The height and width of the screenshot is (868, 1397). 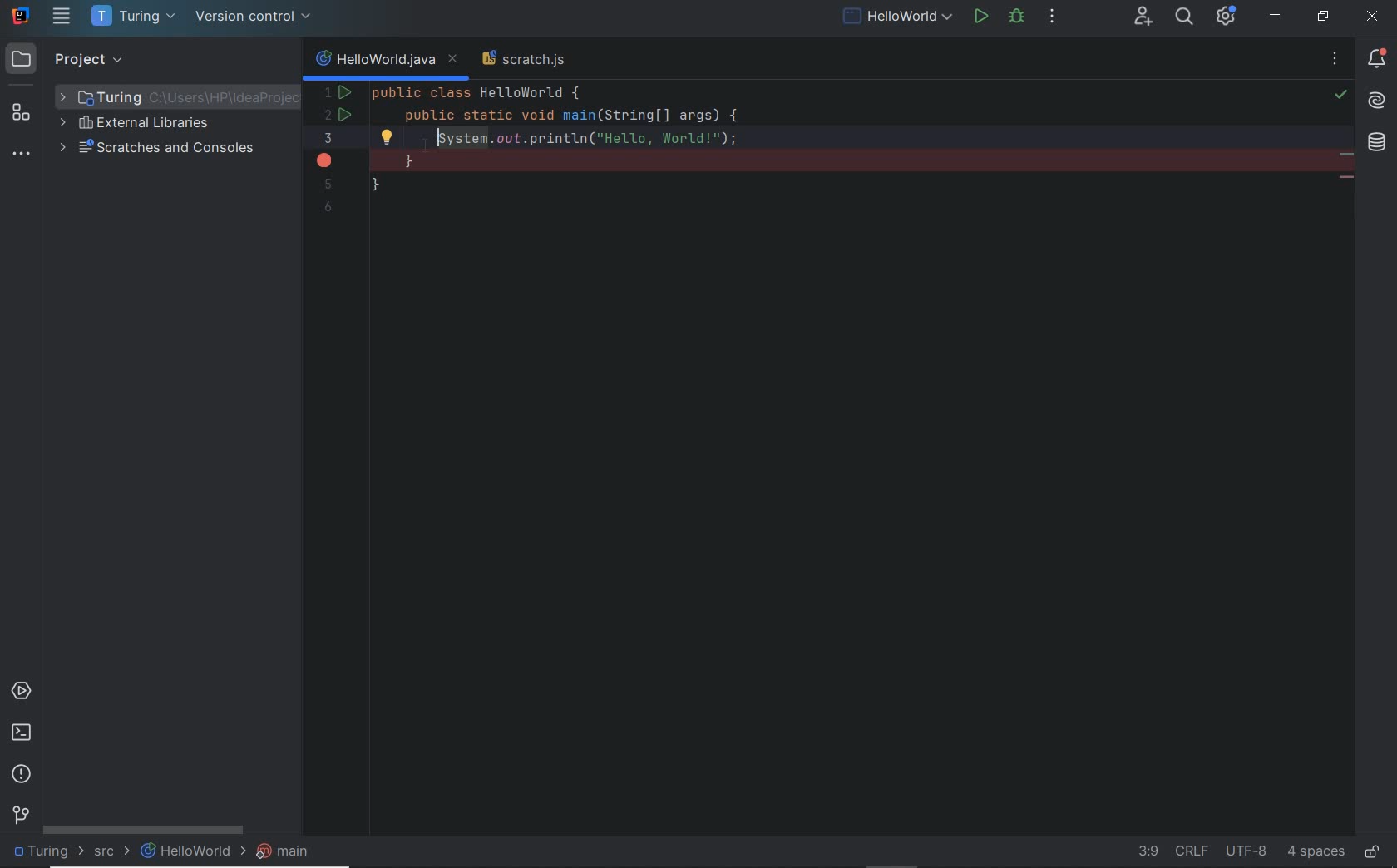 I want to click on cursor, so click(x=416, y=148).